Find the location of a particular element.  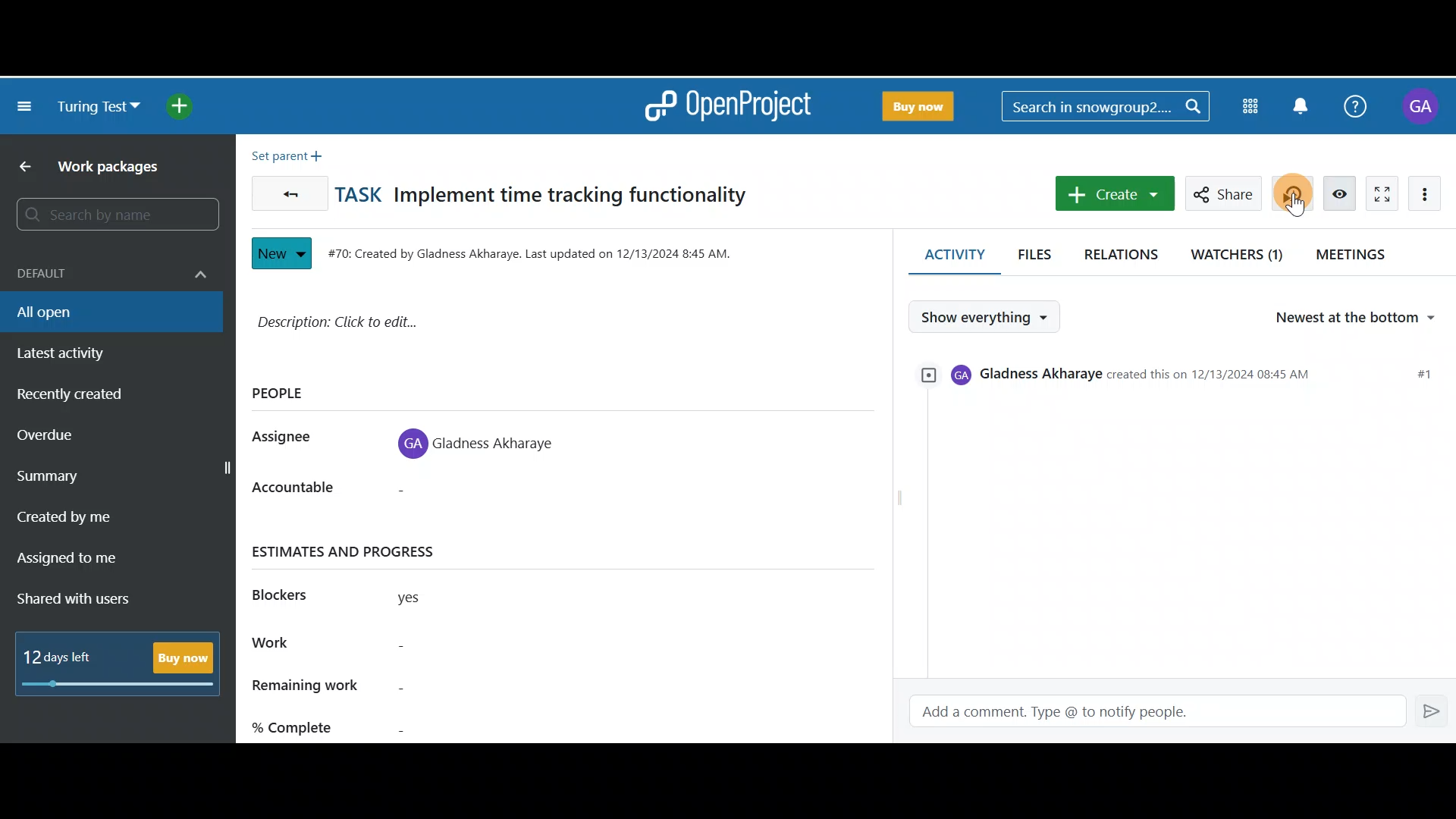

New is located at coordinates (281, 249).